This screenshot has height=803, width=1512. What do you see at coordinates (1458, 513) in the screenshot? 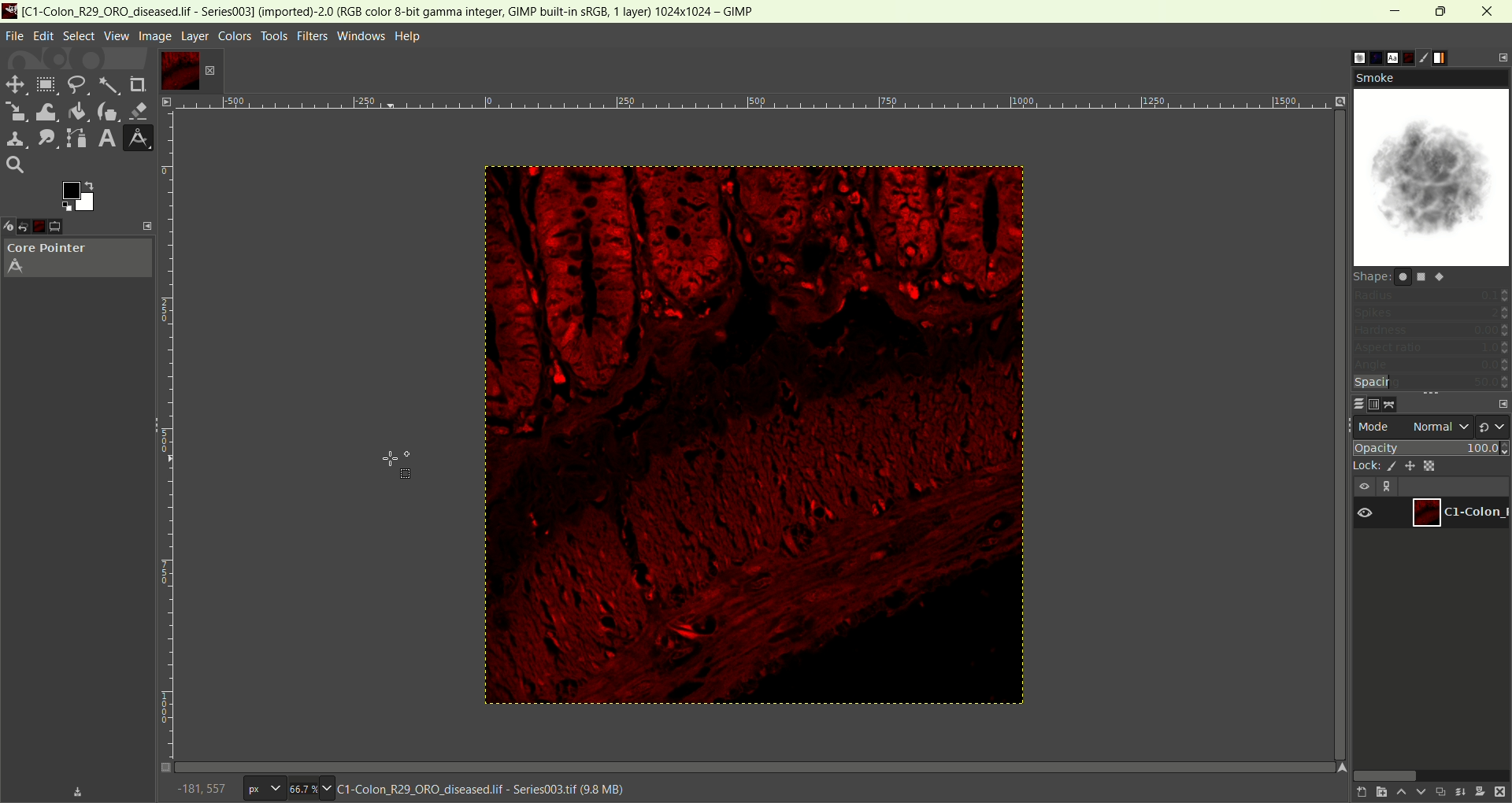
I see `layer1` at bounding box center [1458, 513].